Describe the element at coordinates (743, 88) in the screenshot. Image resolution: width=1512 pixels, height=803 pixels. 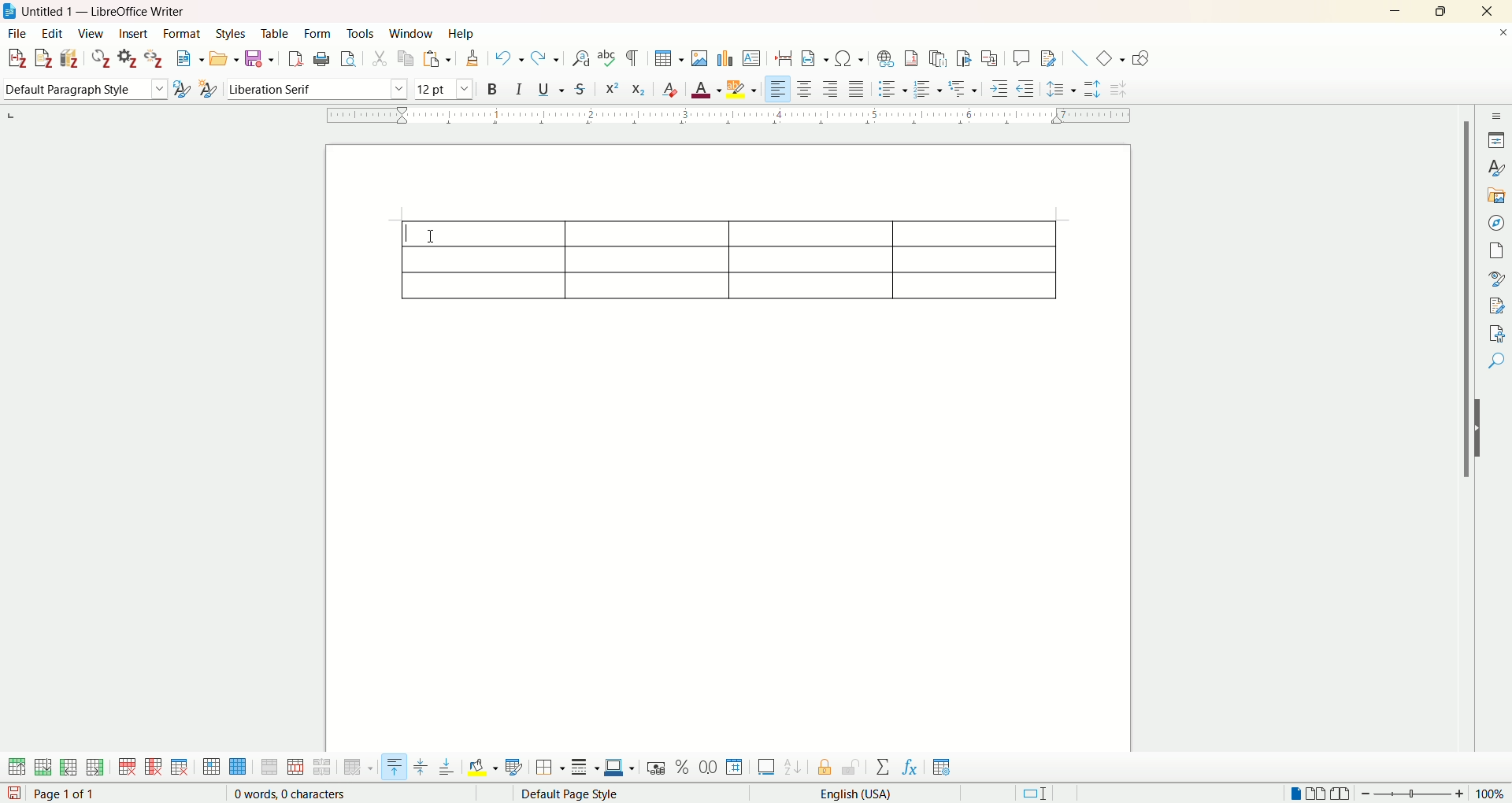
I see `highlighting color` at that location.